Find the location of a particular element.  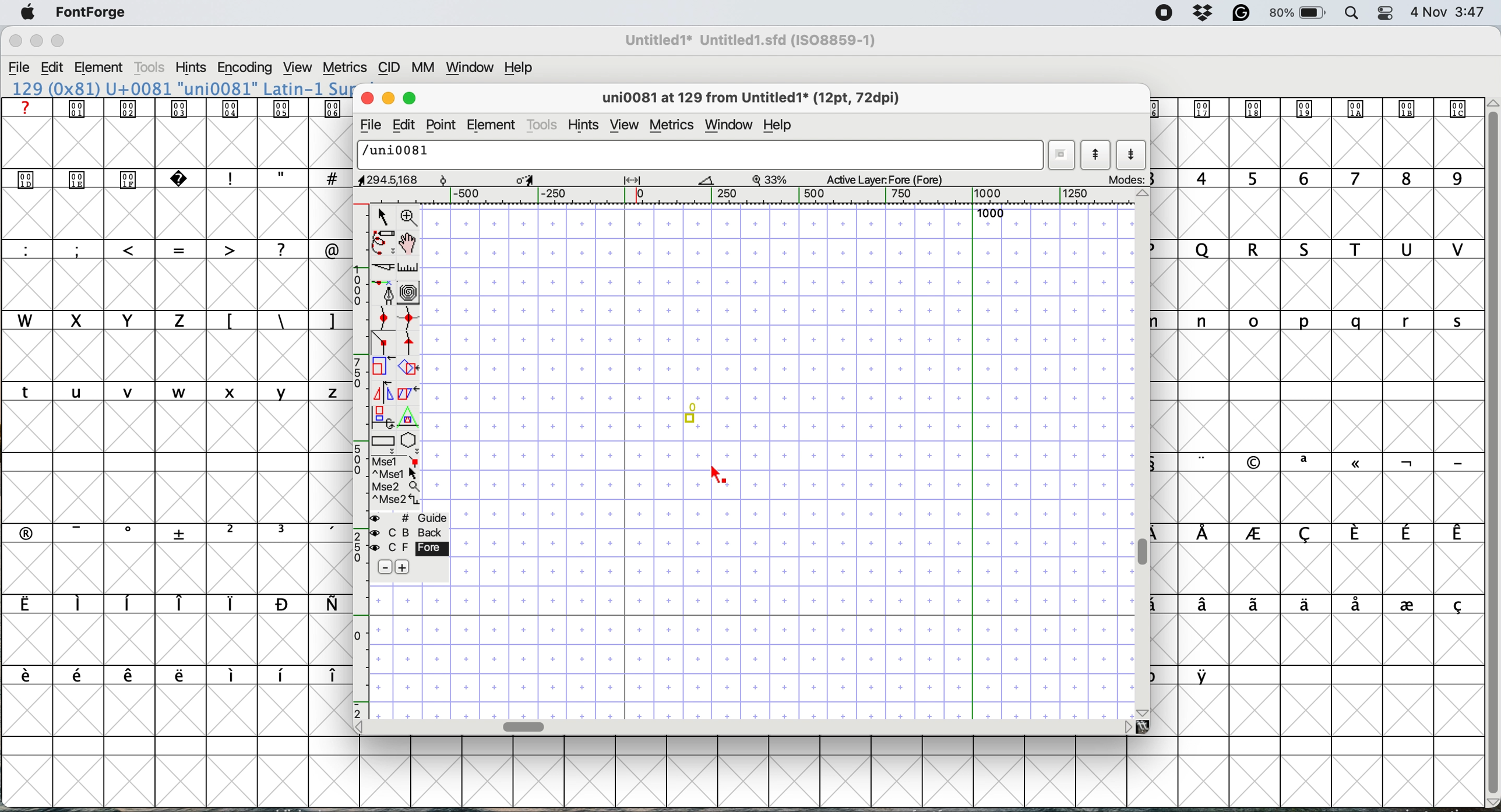

rotate the selection is located at coordinates (407, 369).